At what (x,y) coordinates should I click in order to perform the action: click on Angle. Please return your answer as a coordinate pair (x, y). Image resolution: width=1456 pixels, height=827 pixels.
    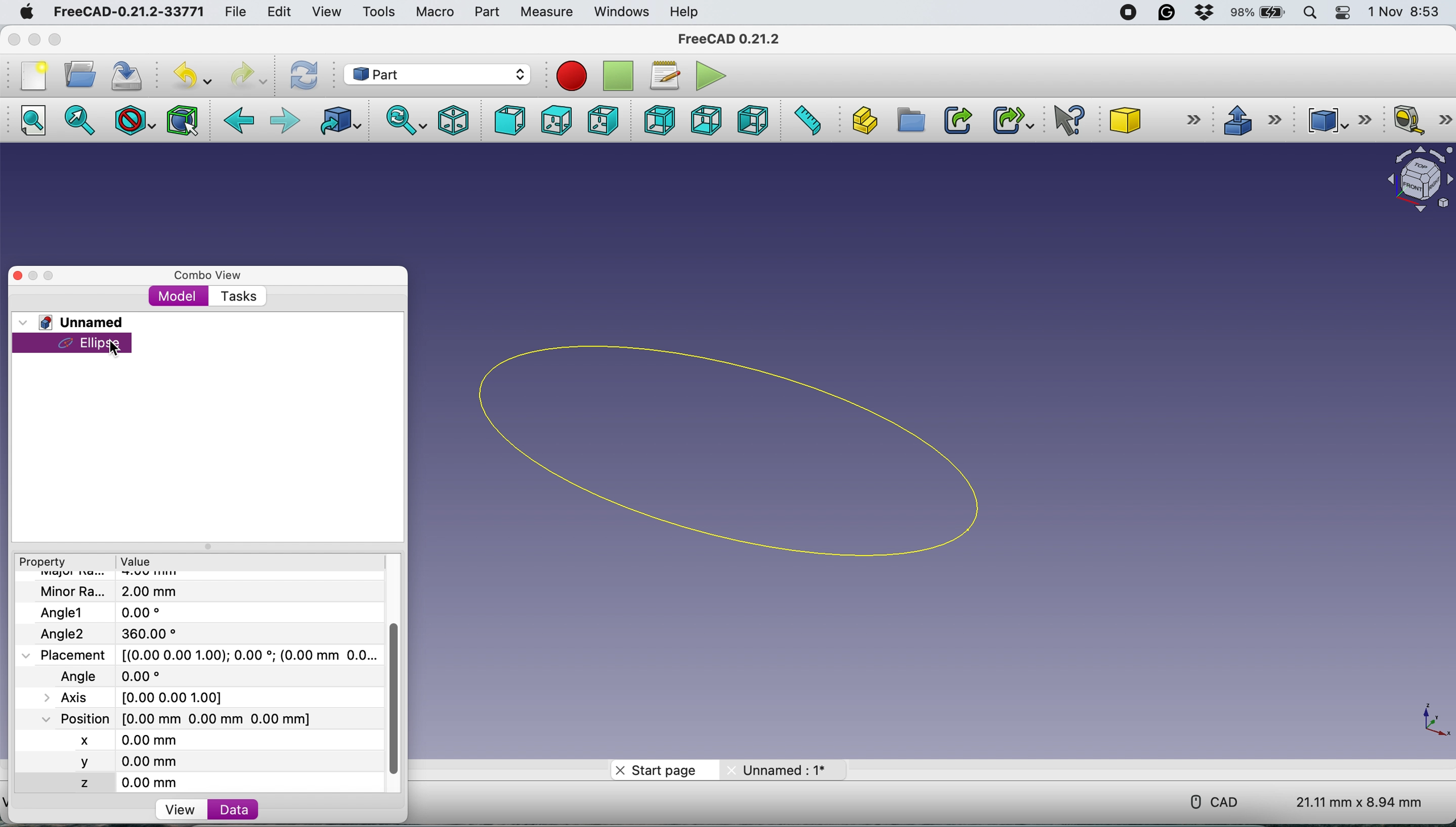
    Looking at the image, I should click on (117, 633).